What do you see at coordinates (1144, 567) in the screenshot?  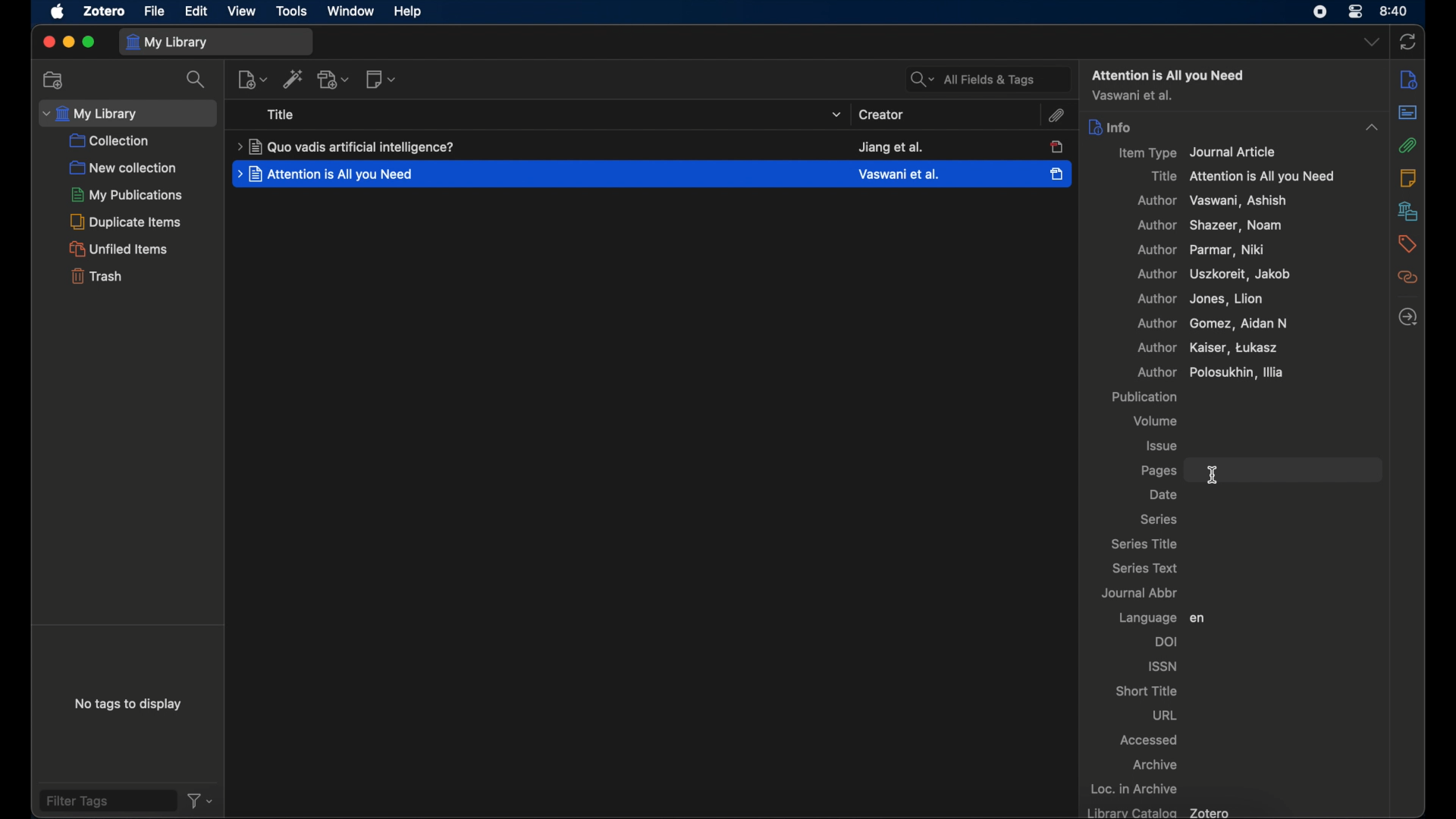 I see `series text` at bounding box center [1144, 567].